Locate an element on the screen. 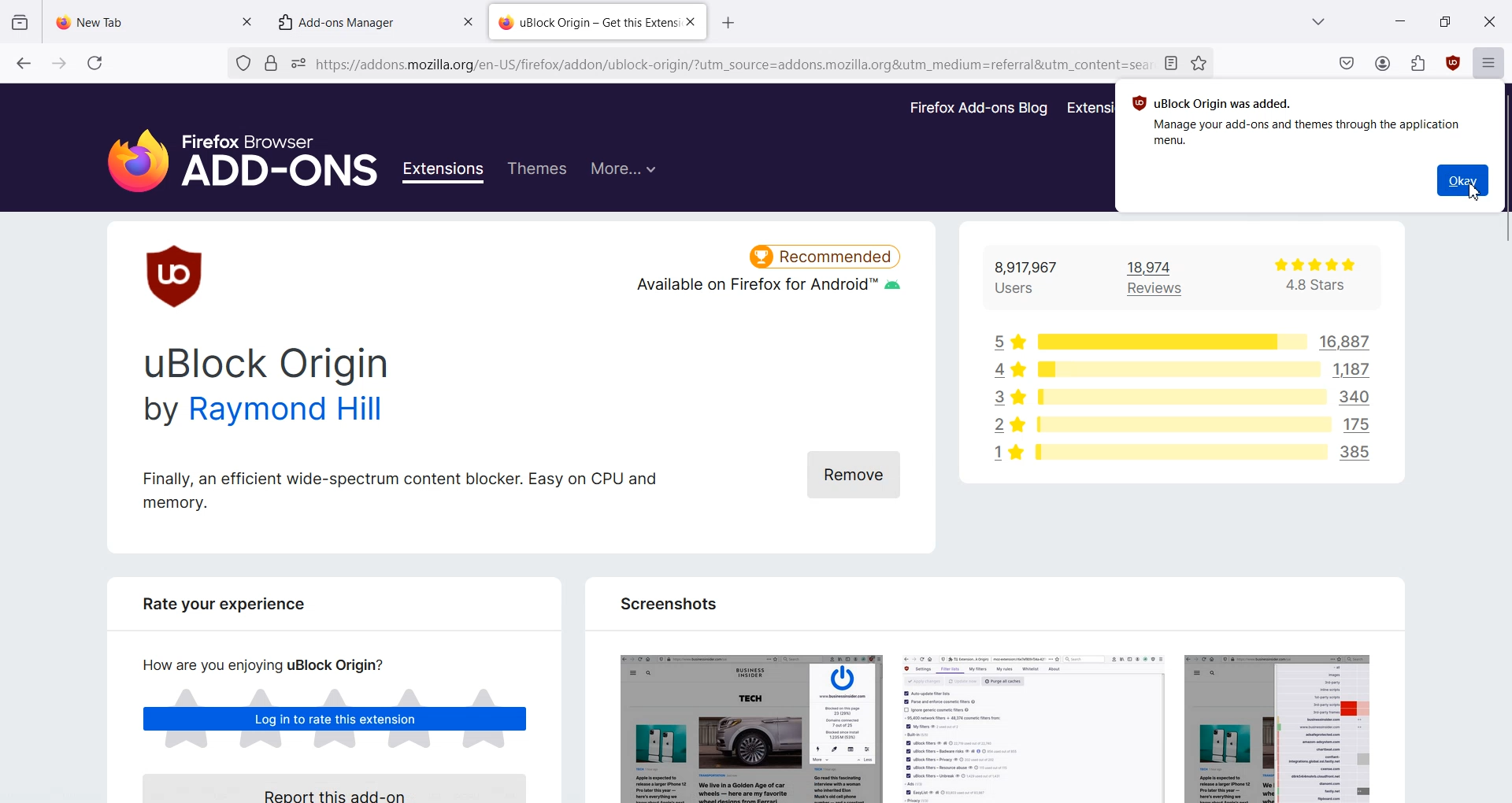  rating bar is located at coordinates (1180, 426).